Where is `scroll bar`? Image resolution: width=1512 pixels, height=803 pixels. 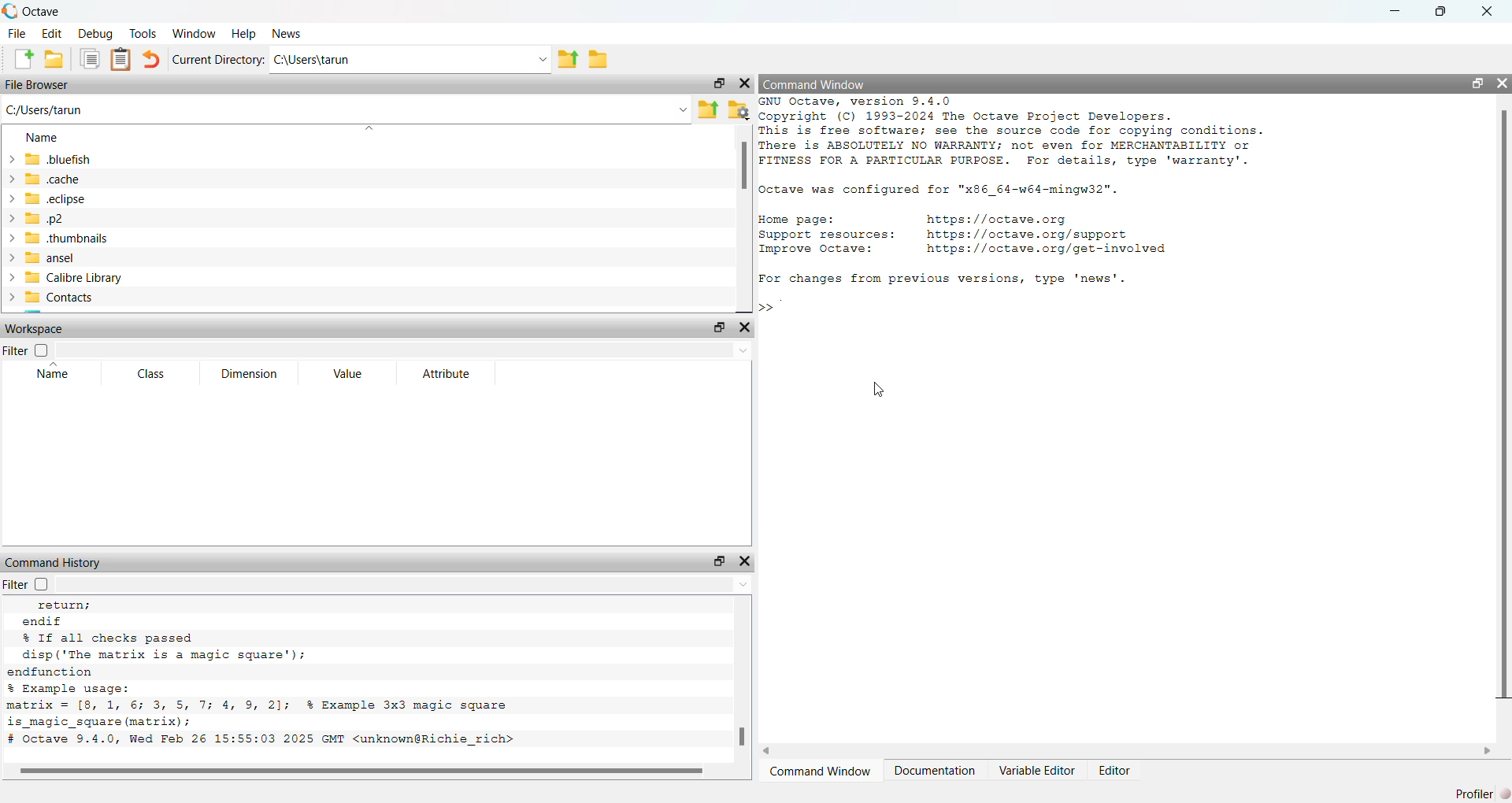
scroll bar is located at coordinates (741, 168).